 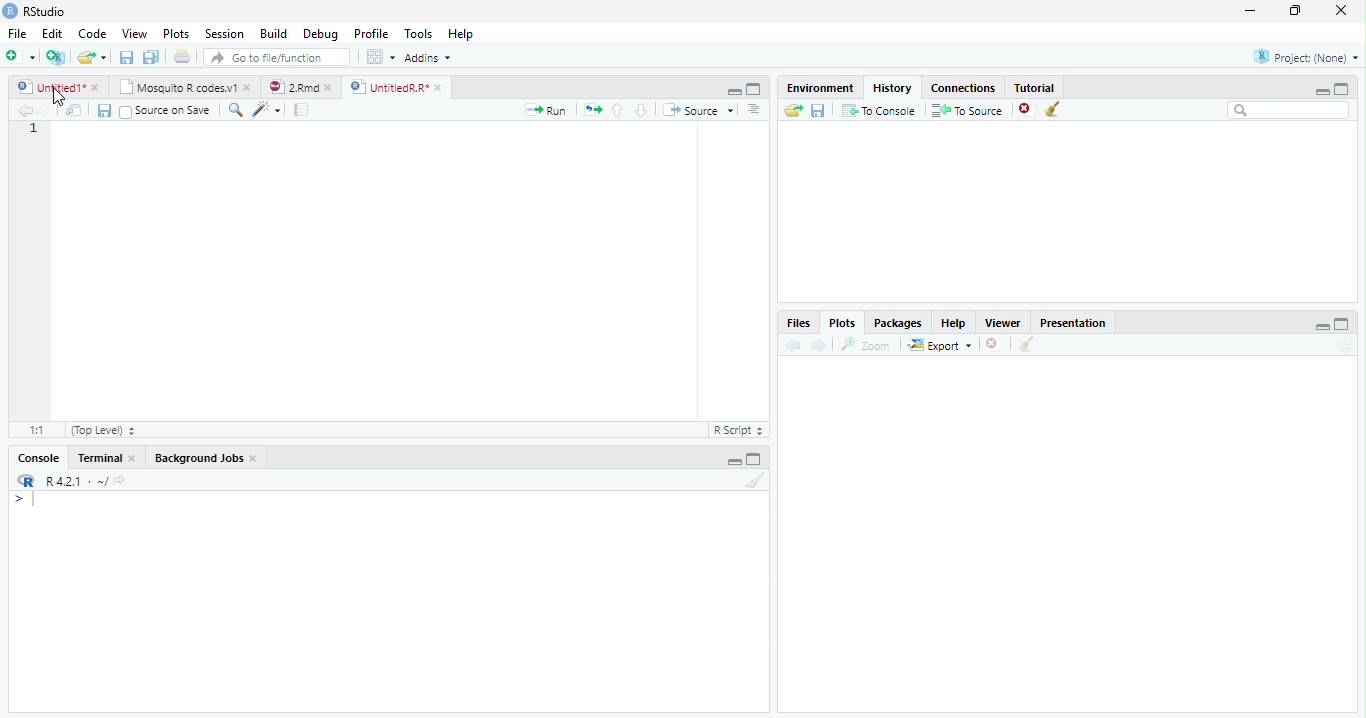 What do you see at coordinates (1024, 345) in the screenshot?
I see `Clear Console` at bounding box center [1024, 345].